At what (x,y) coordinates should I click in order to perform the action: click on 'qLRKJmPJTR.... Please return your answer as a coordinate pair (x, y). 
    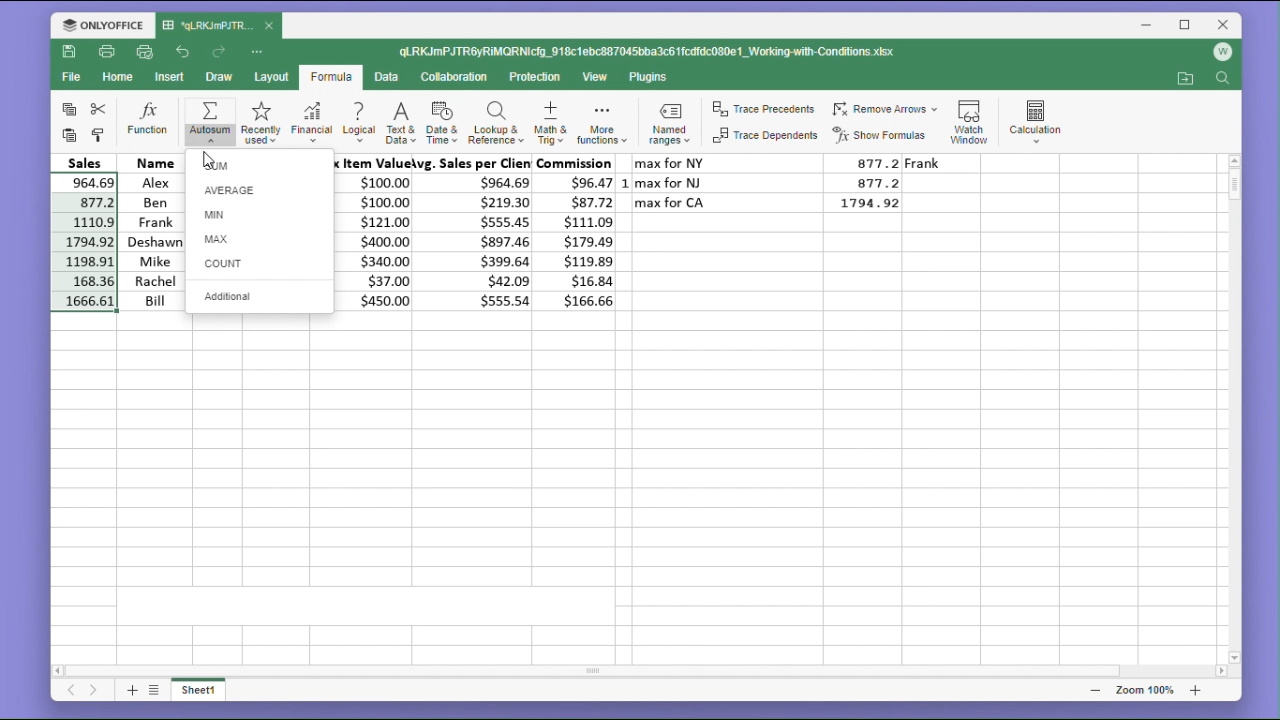
    Looking at the image, I should click on (208, 25).